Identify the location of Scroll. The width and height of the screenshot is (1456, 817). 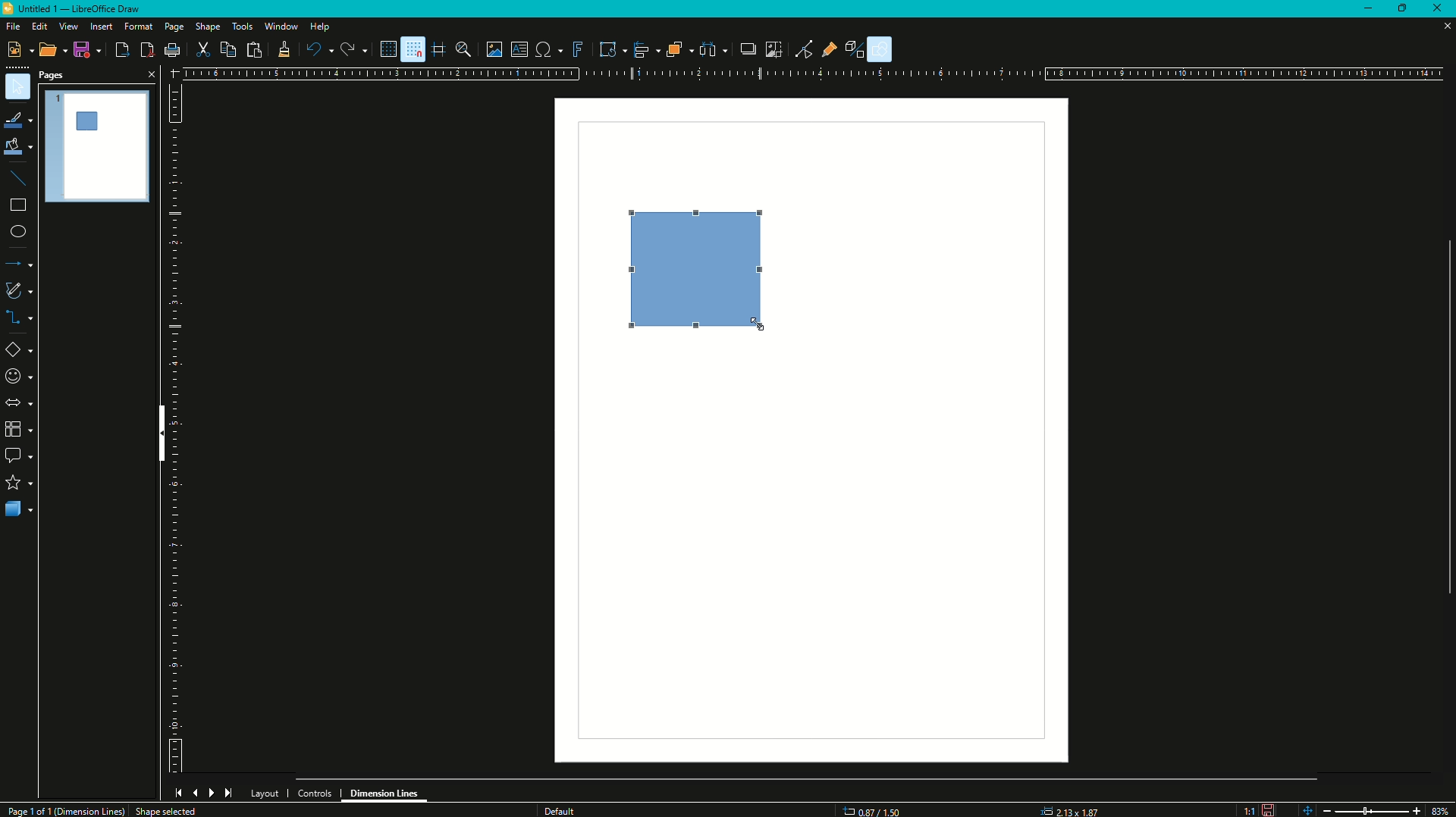
(808, 777).